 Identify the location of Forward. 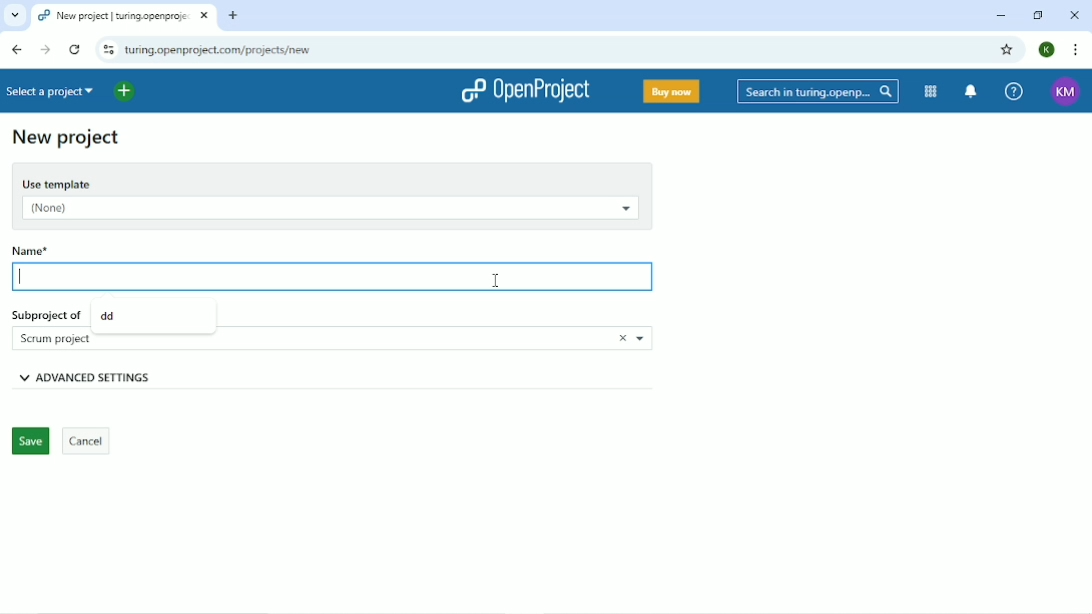
(46, 50).